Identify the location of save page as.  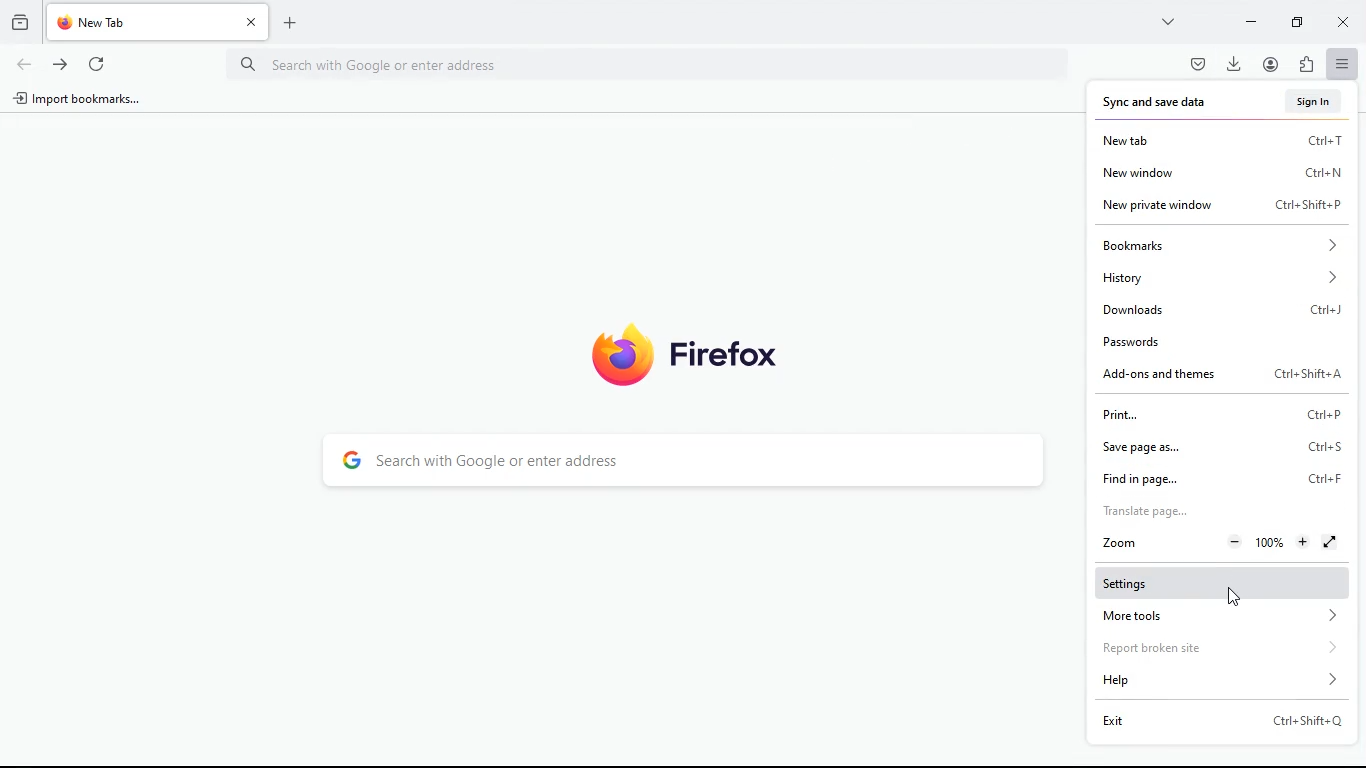
(1216, 445).